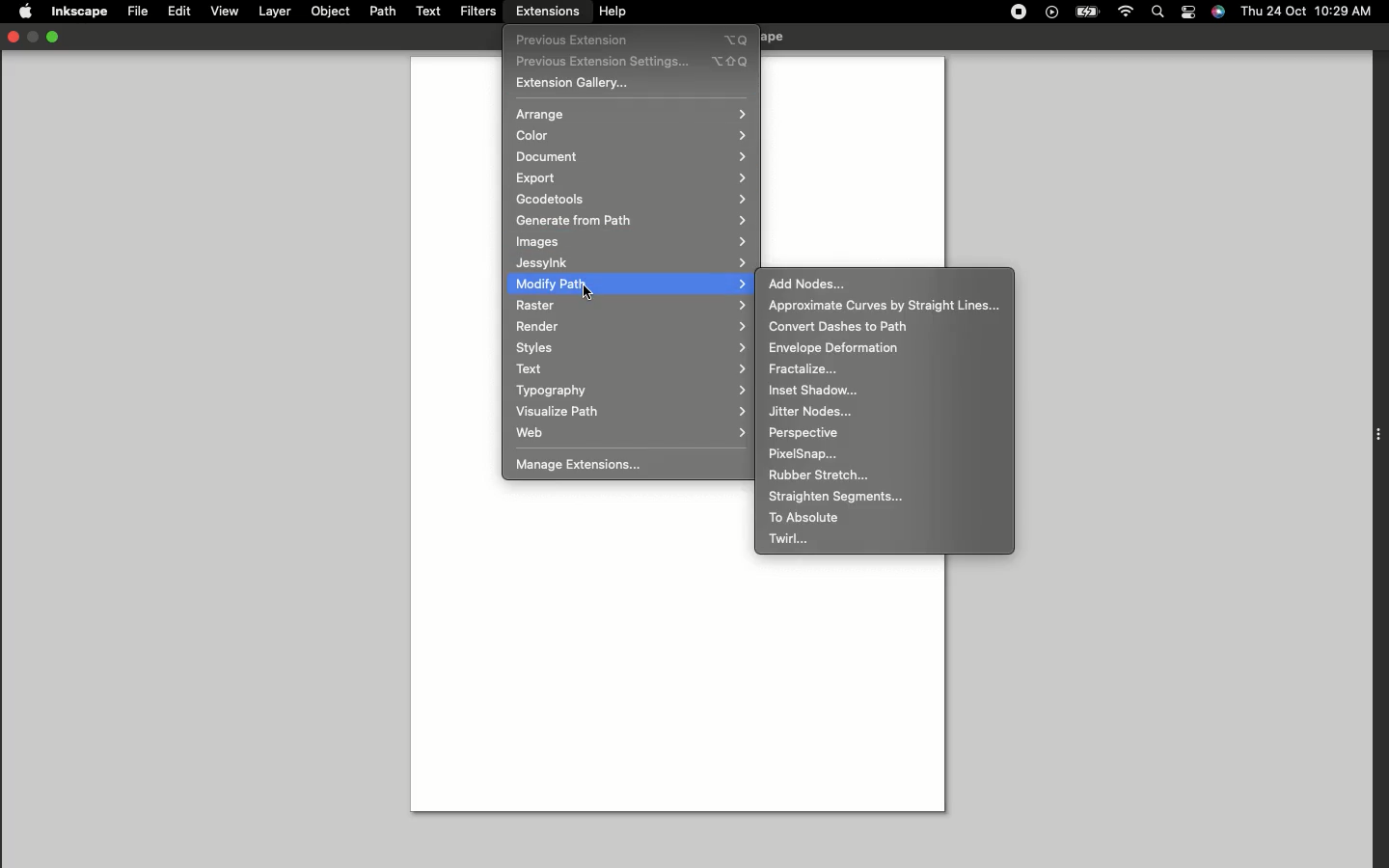 The width and height of the screenshot is (1389, 868). What do you see at coordinates (628, 284) in the screenshot?
I see `Modify path` at bounding box center [628, 284].